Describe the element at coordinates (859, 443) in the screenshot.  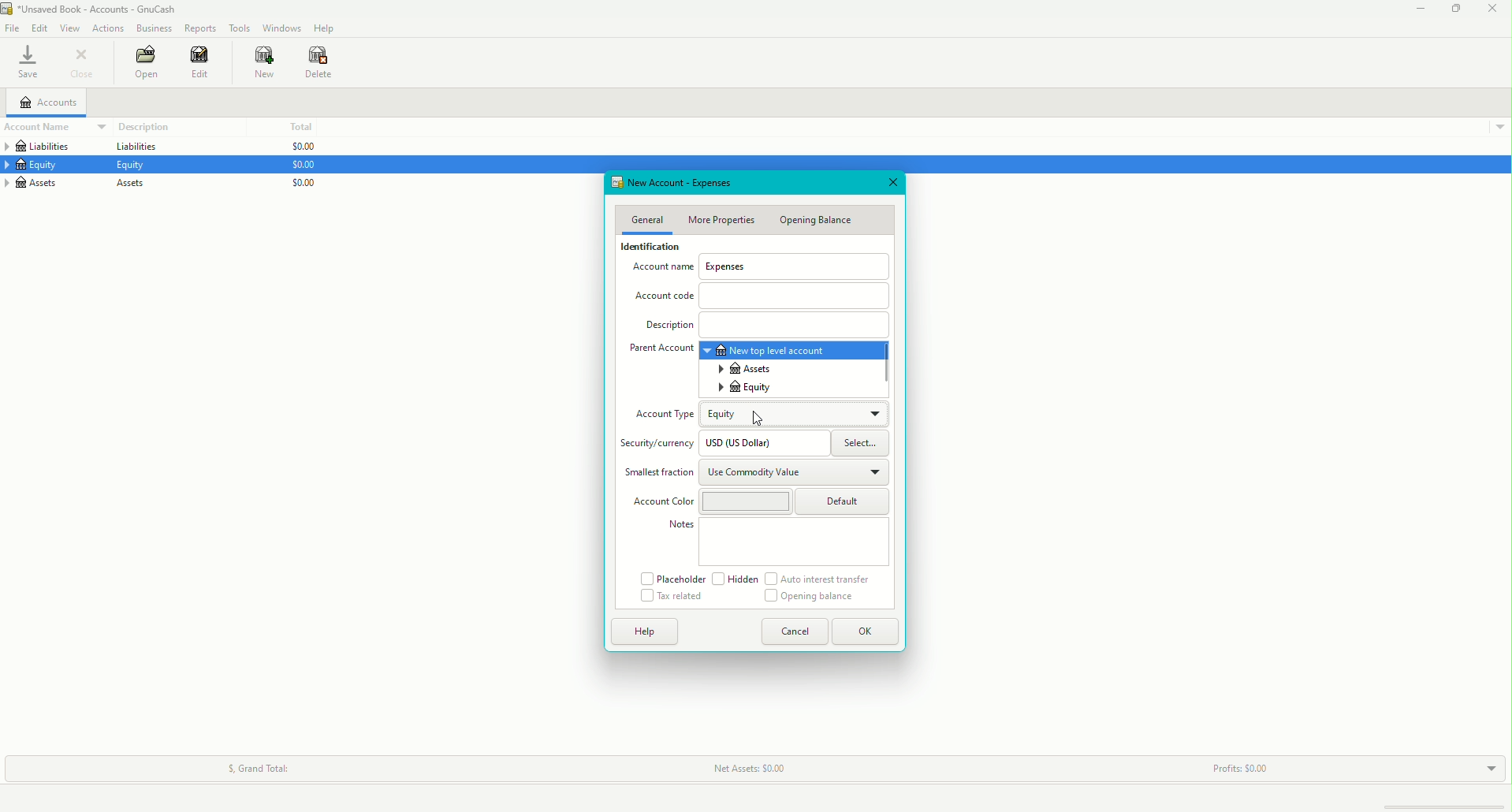
I see `Select` at that location.